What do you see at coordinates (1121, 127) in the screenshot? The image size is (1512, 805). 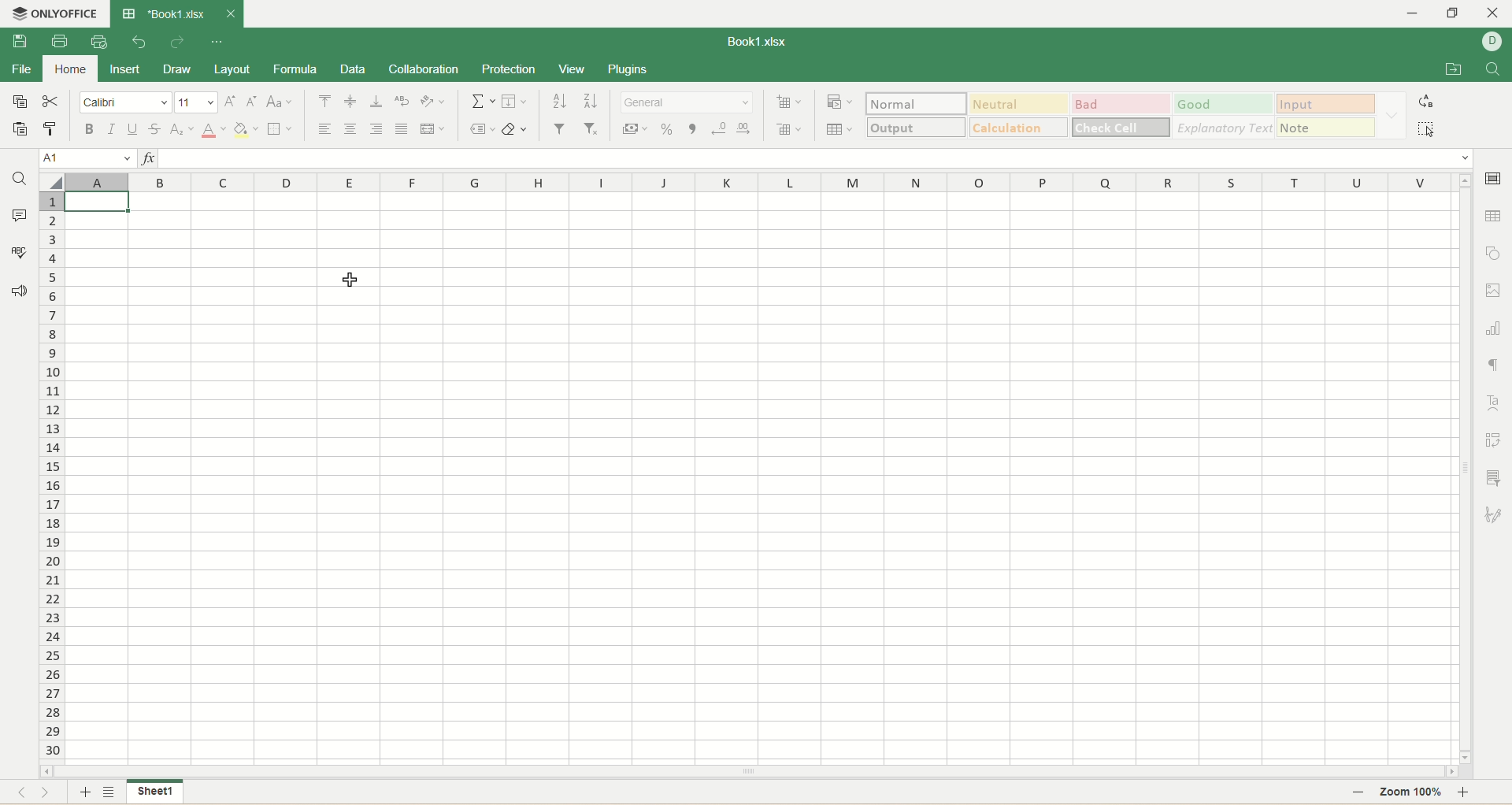 I see `check cell` at bounding box center [1121, 127].